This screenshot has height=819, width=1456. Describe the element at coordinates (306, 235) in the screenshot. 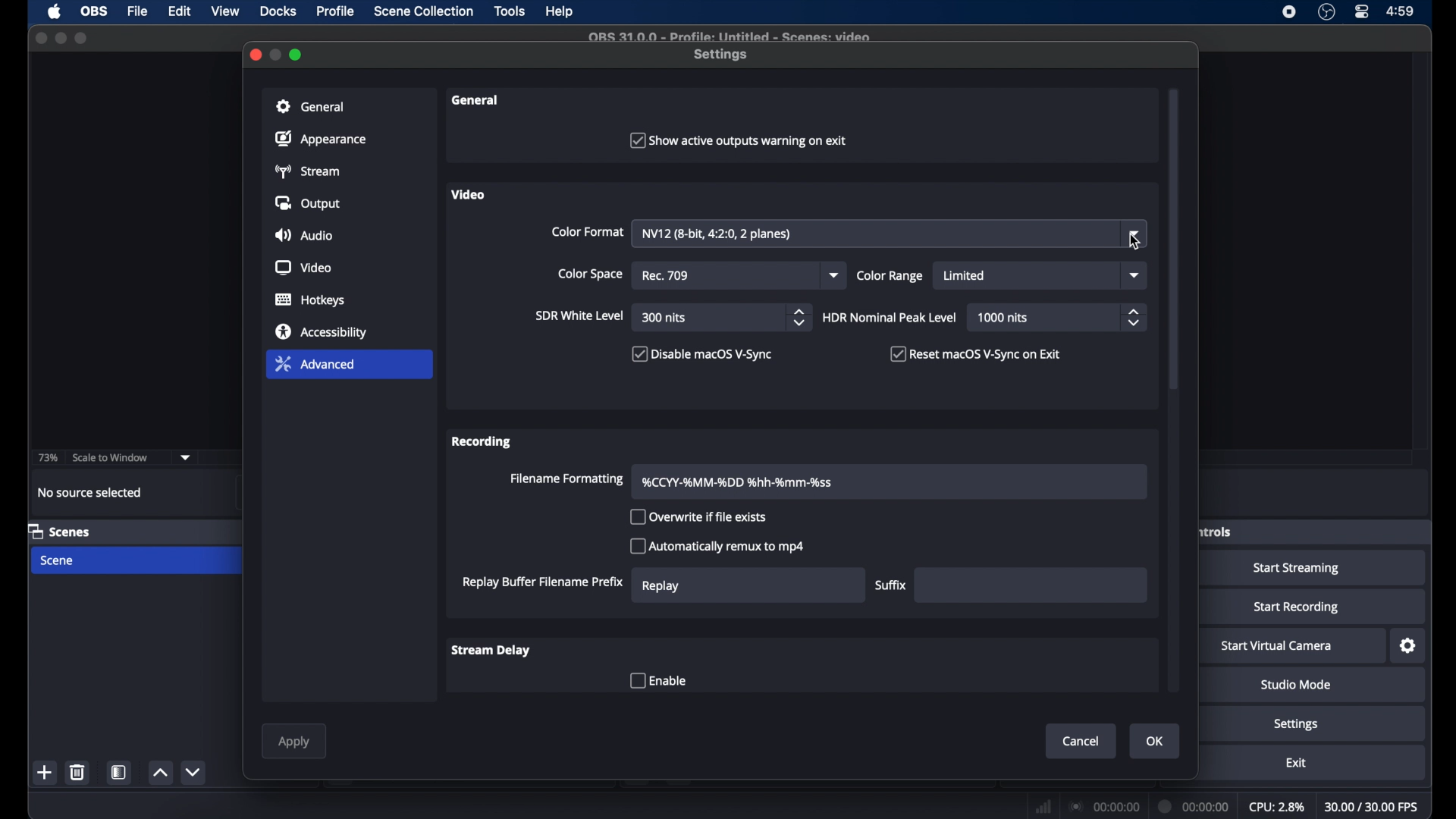

I see `audio` at that location.